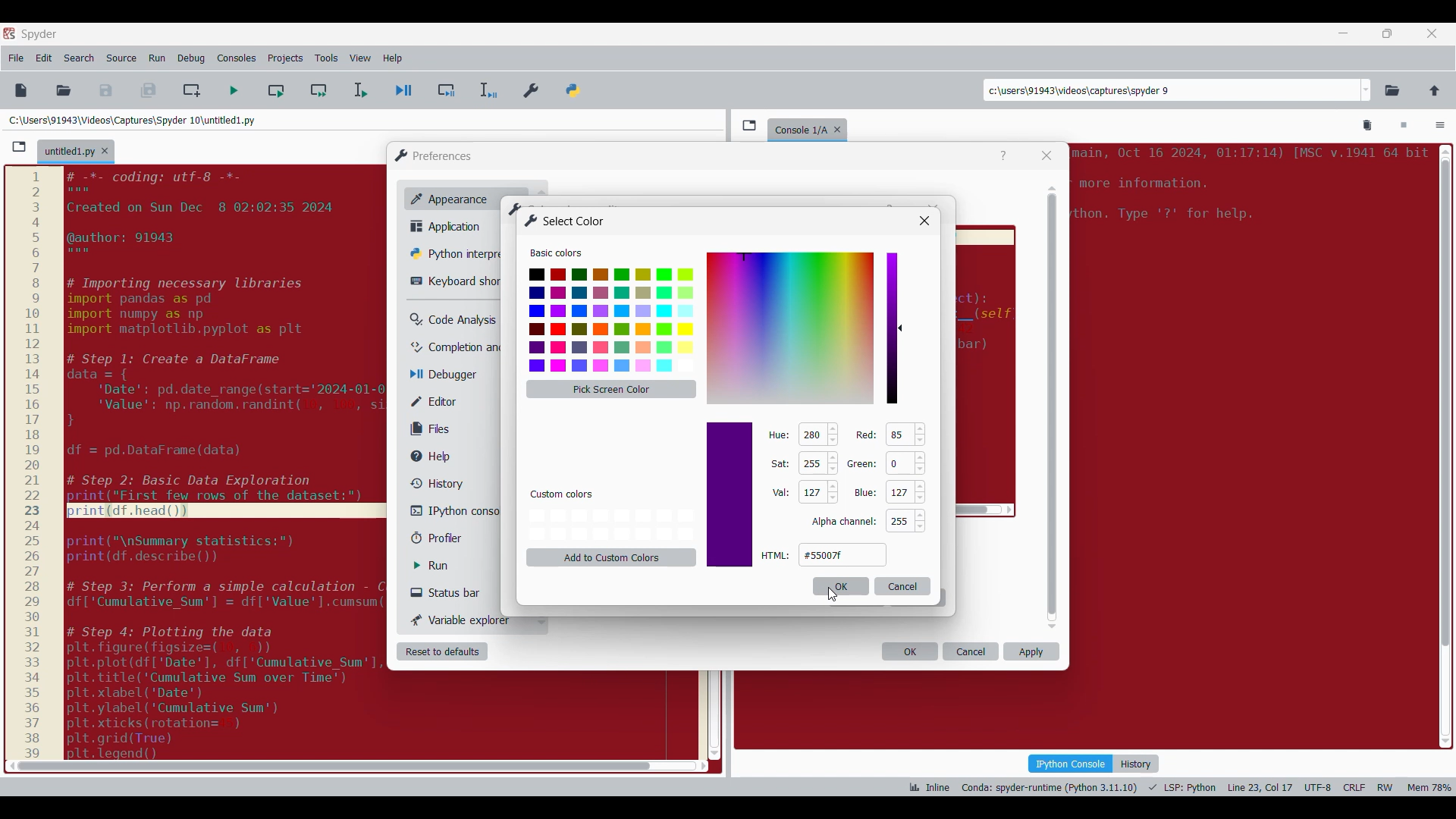  I want to click on scroll bar, so click(329, 765).